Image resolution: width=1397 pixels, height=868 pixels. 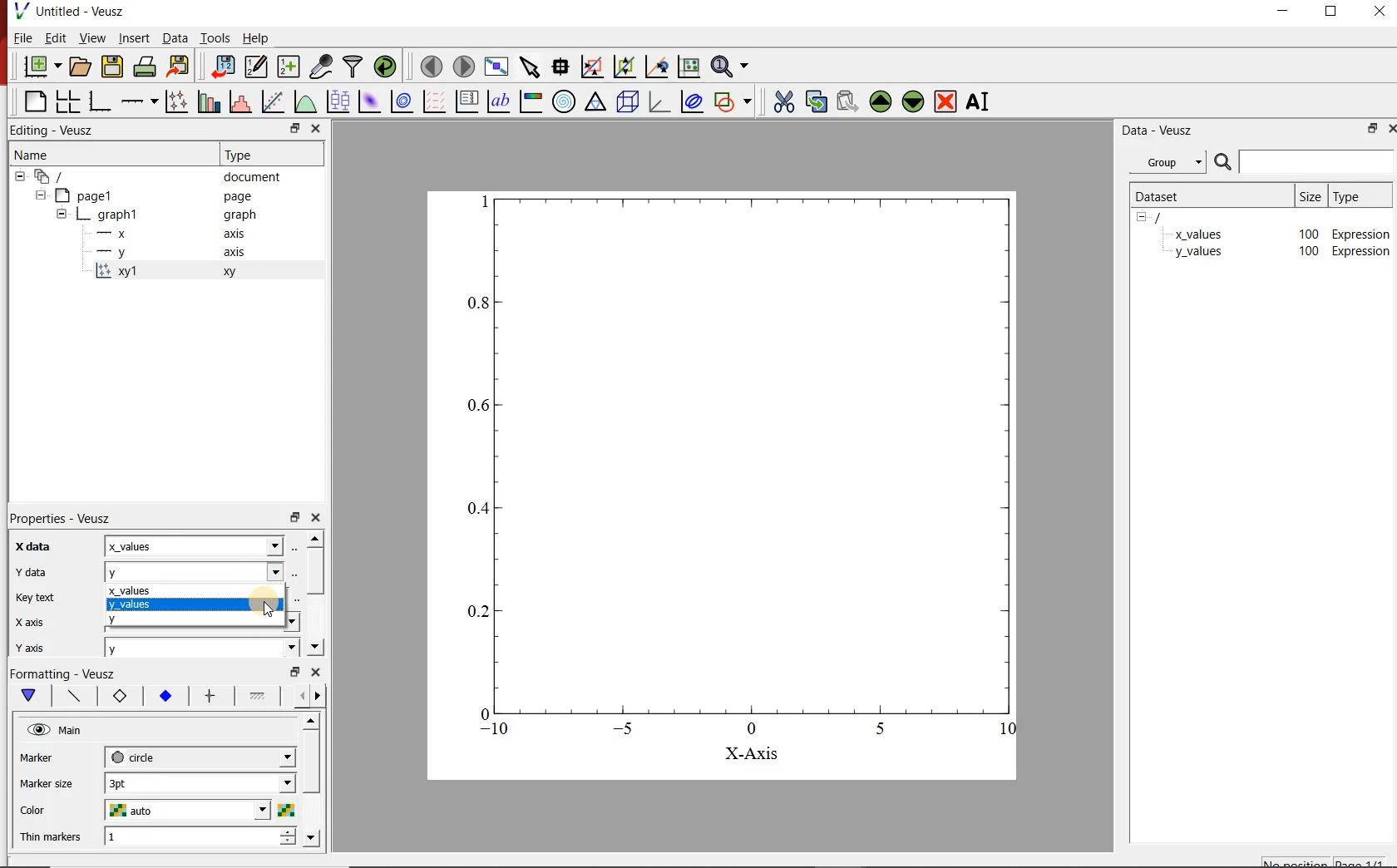 What do you see at coordinates (980, 104) in the screenshot?
I see `rename the selected widget` at bounding box center [980, 104].